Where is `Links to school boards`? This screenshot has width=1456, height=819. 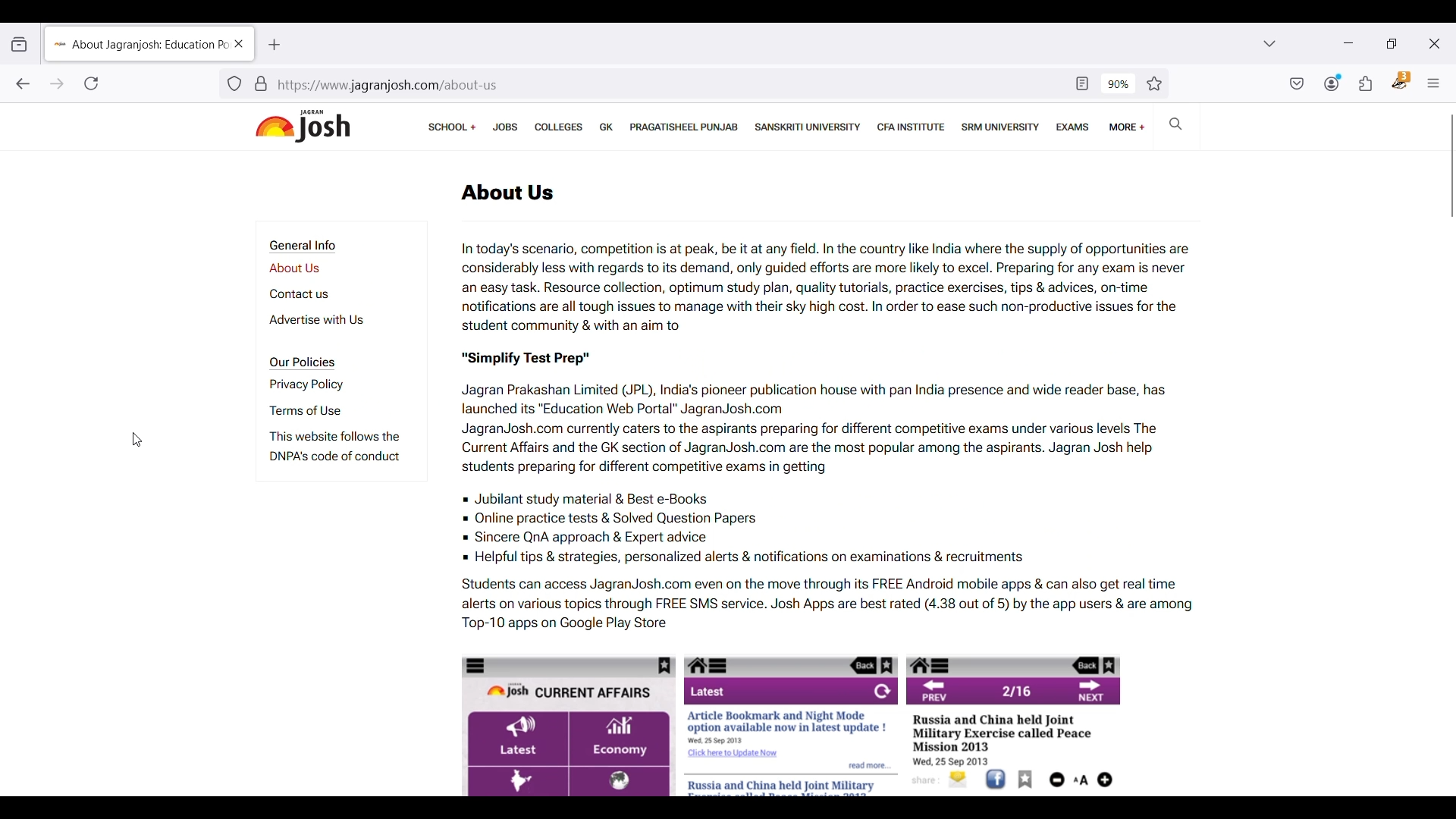 Links to school boards is located at coordinates (452, 127).